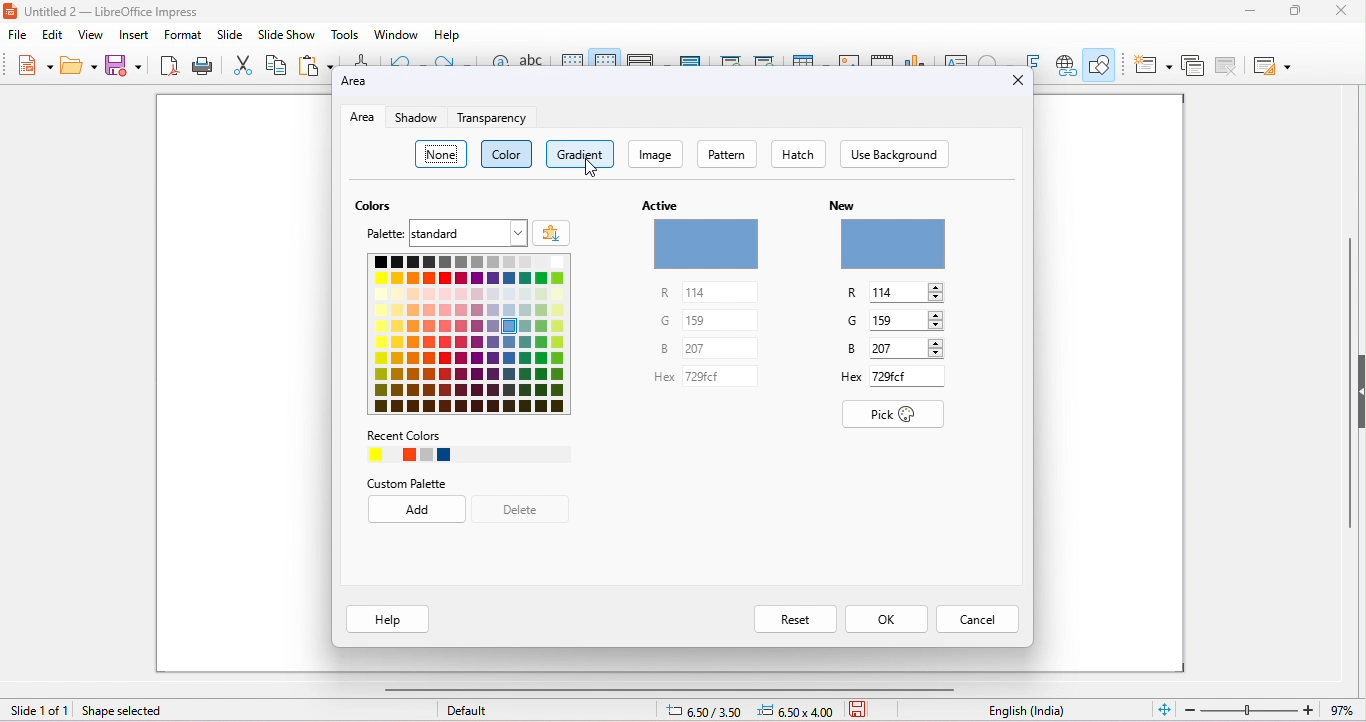 The image size is (1366, 722). I want to click on help, so click(386, 619).